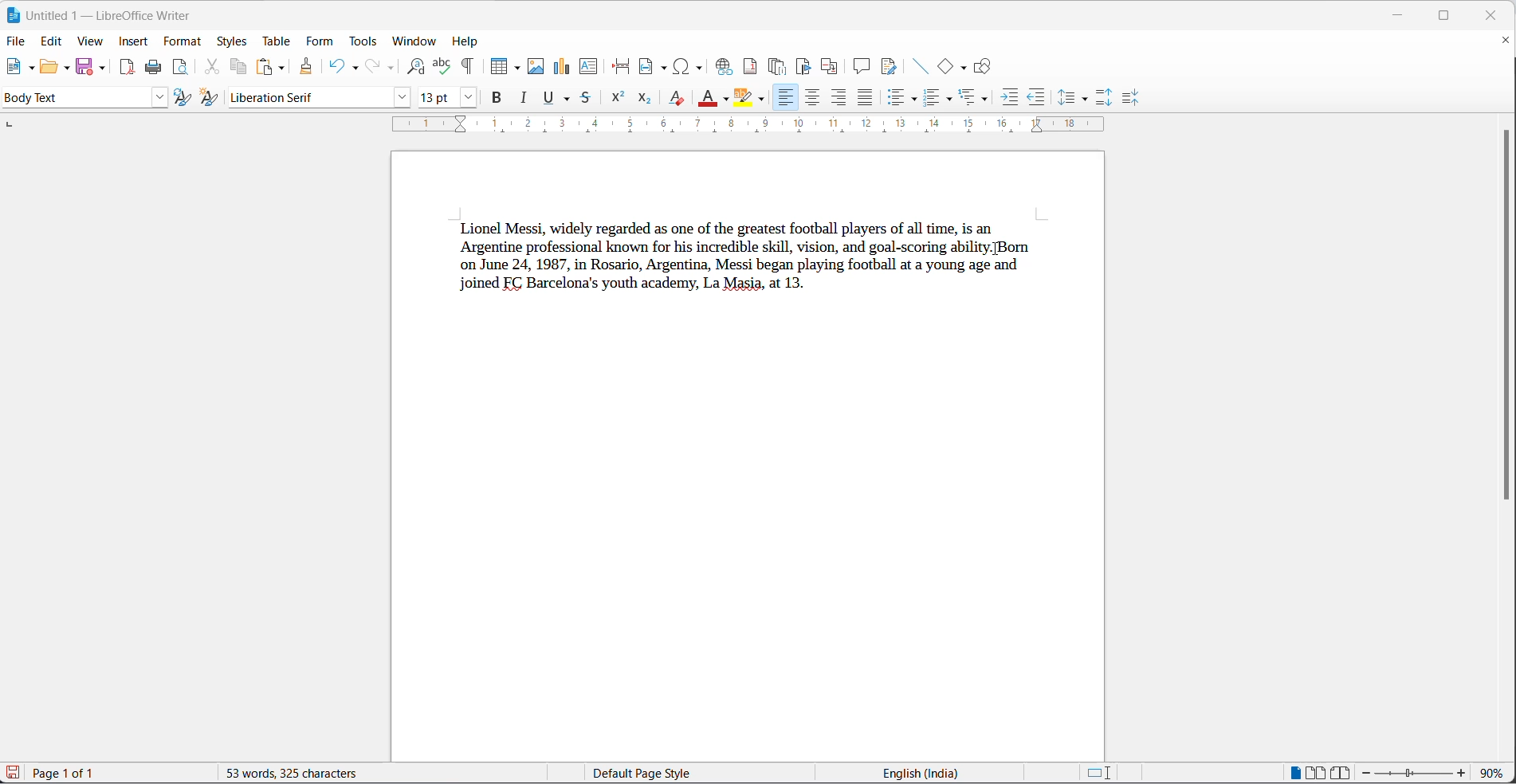 This screenshot has width=1516, height=784. Describe the element at coordinates (984, 65) in the screenshot. I see `Show draw functions` at that location.